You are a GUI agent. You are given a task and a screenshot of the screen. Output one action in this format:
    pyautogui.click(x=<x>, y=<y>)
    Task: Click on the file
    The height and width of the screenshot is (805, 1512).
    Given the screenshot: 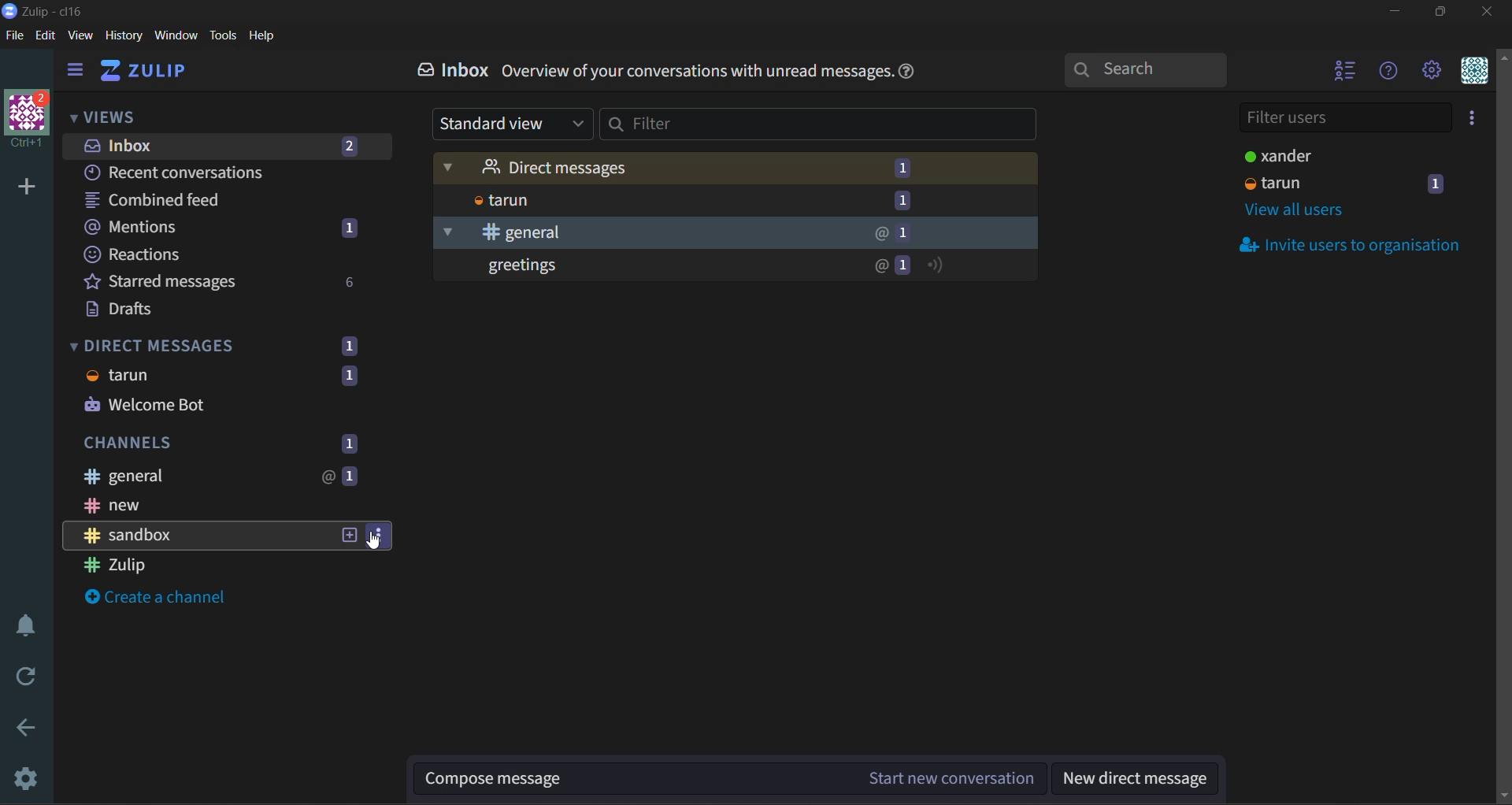 What is the action you would take?
    pyautogui.click(x=15, y=36)
    